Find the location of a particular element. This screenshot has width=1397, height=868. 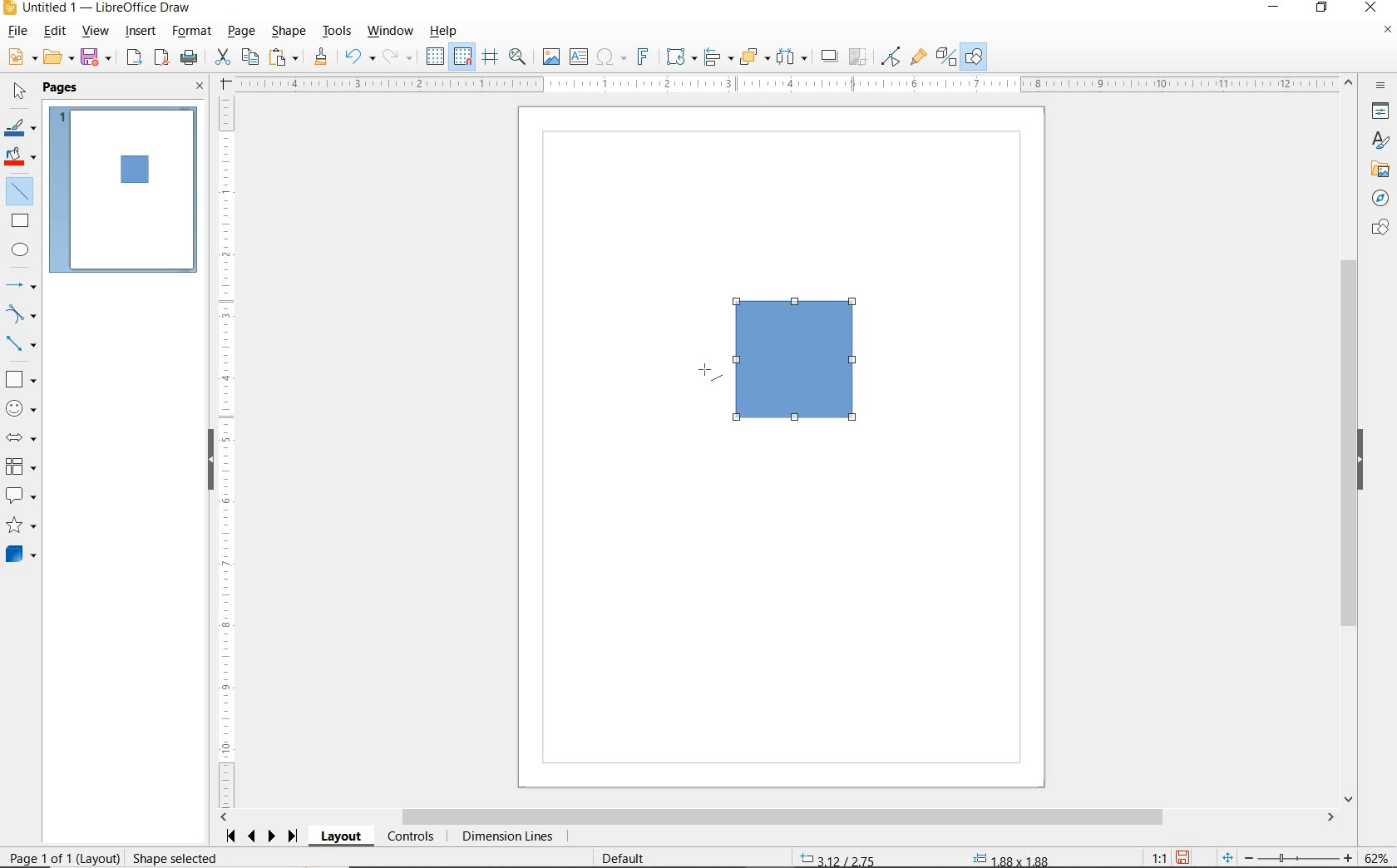

 is located at coordinates (854, 314).